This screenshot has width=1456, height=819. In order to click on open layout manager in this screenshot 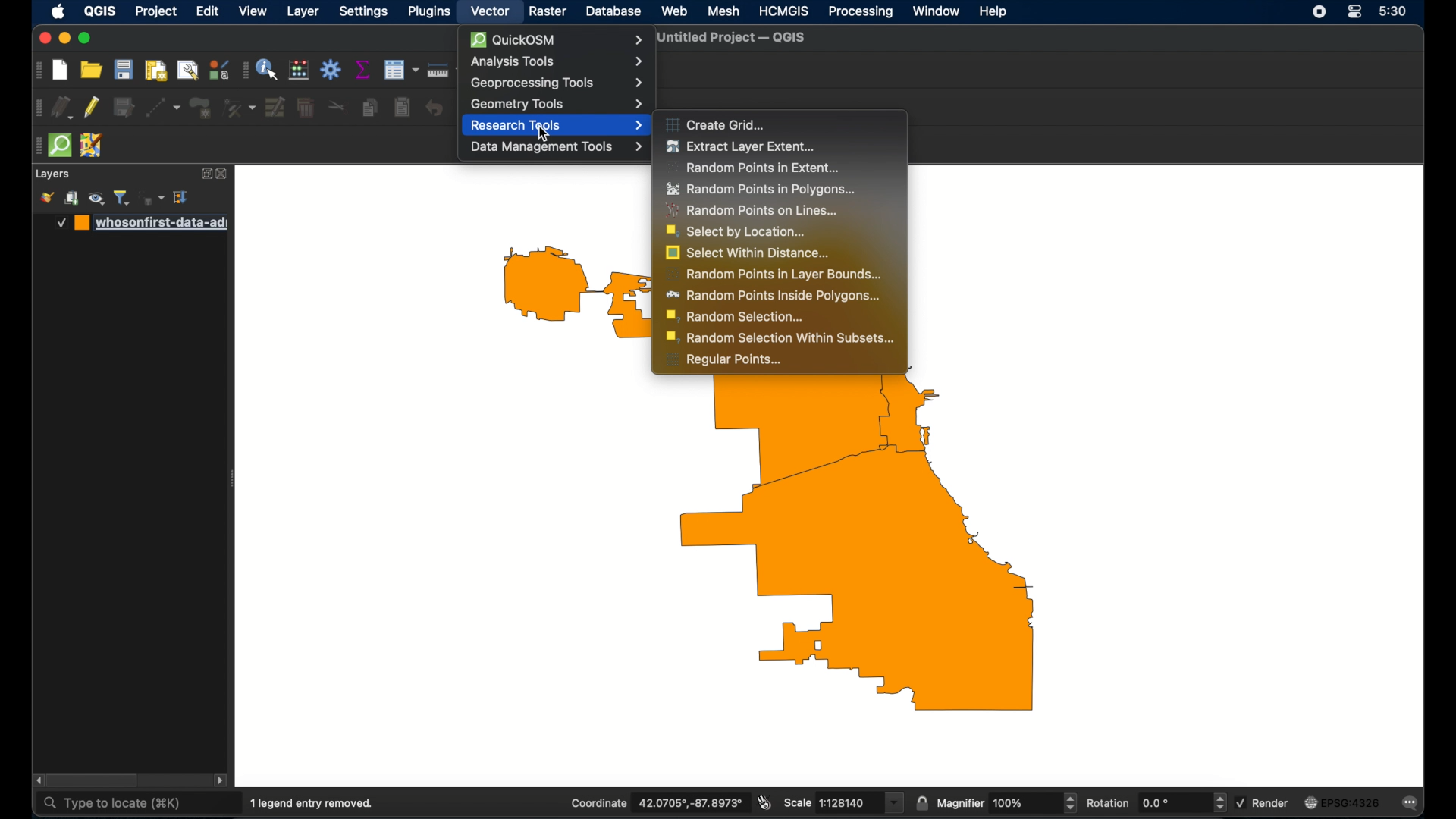, I will do `click(188, 69)`.